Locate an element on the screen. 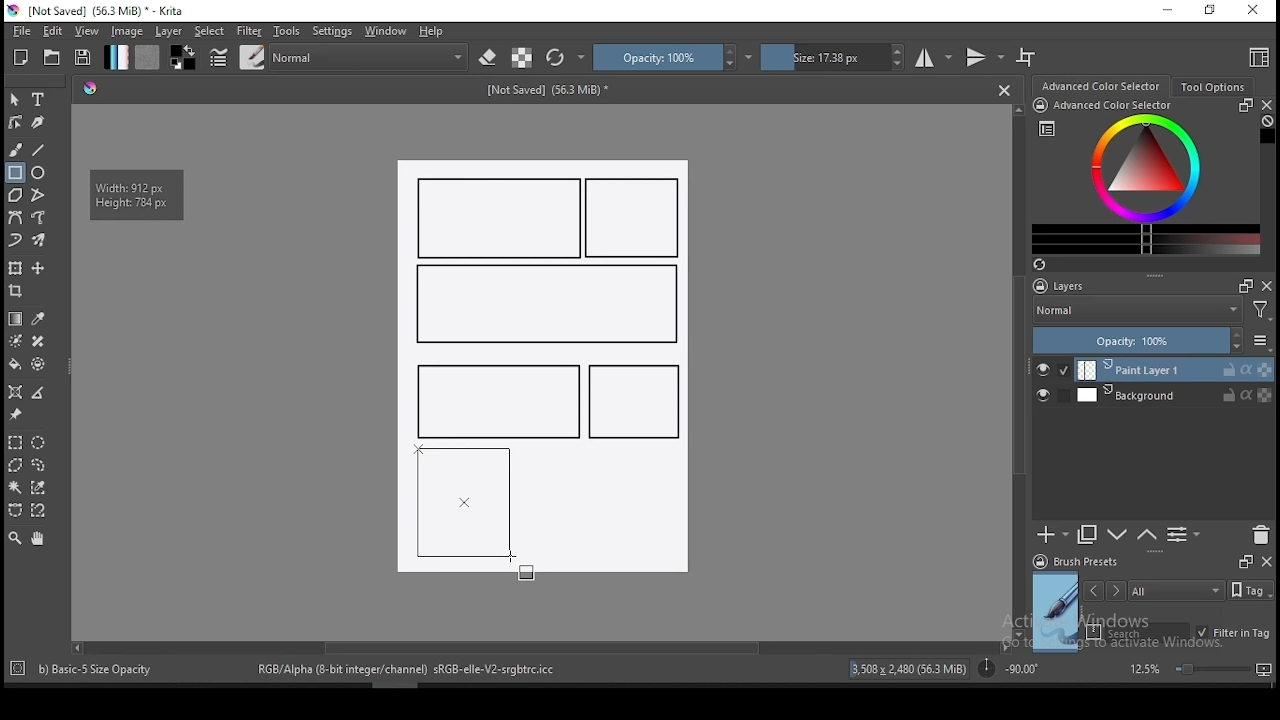  blending mode is located at coordinates (1136, 312).